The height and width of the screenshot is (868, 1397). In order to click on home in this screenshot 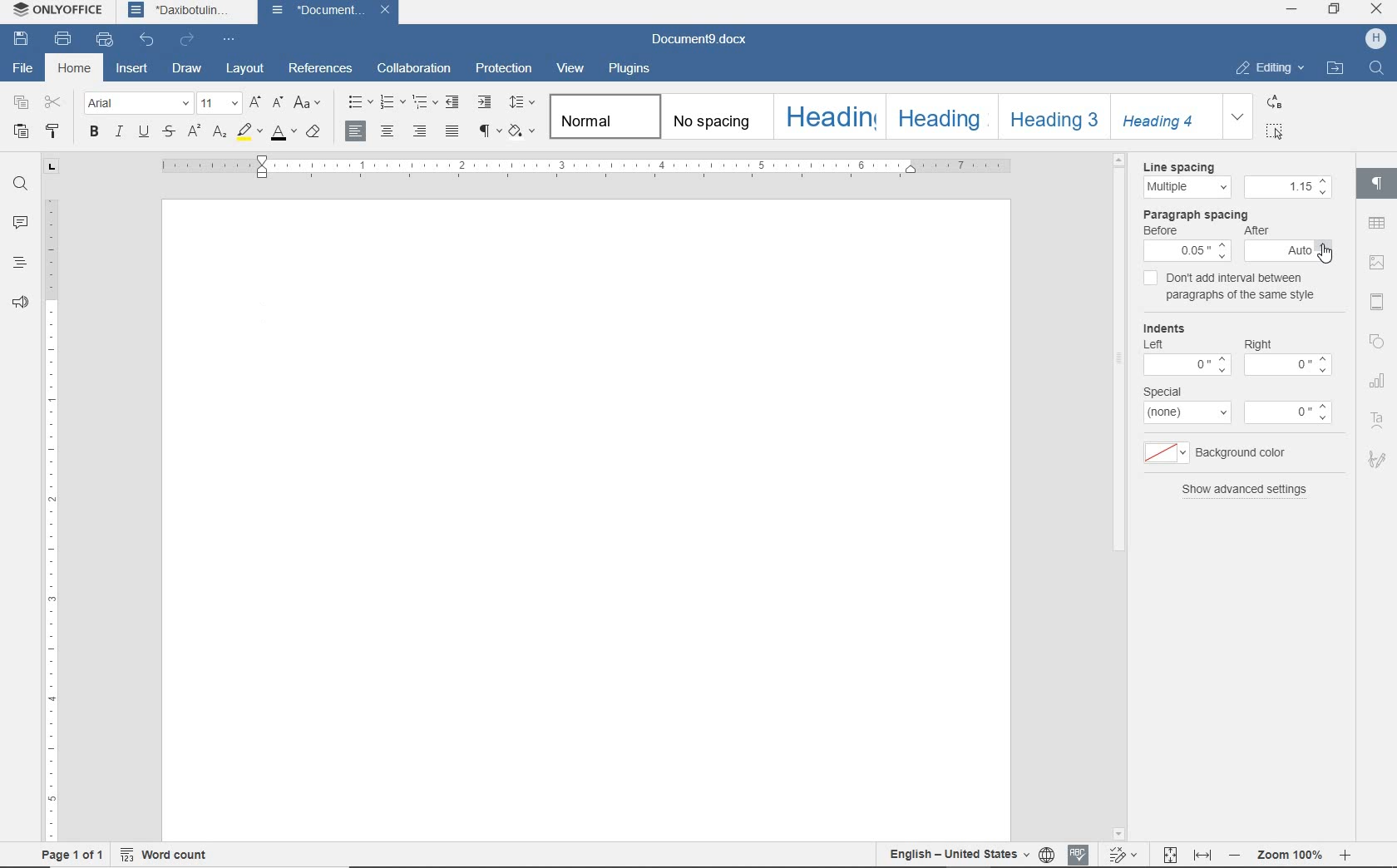, I will do `click(73, 67)`.